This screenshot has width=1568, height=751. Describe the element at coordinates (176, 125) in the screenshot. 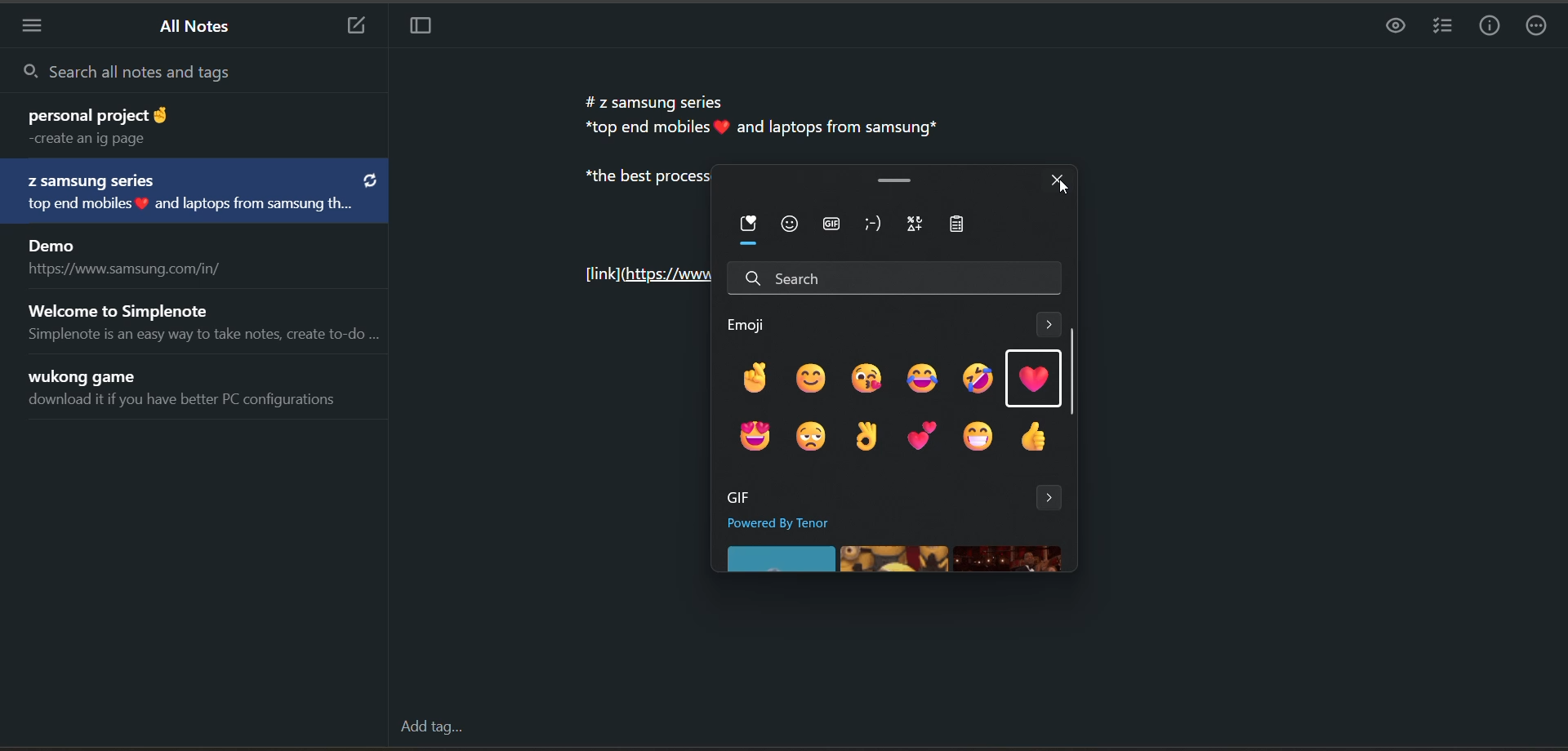

I see `note title and preview` at that location.